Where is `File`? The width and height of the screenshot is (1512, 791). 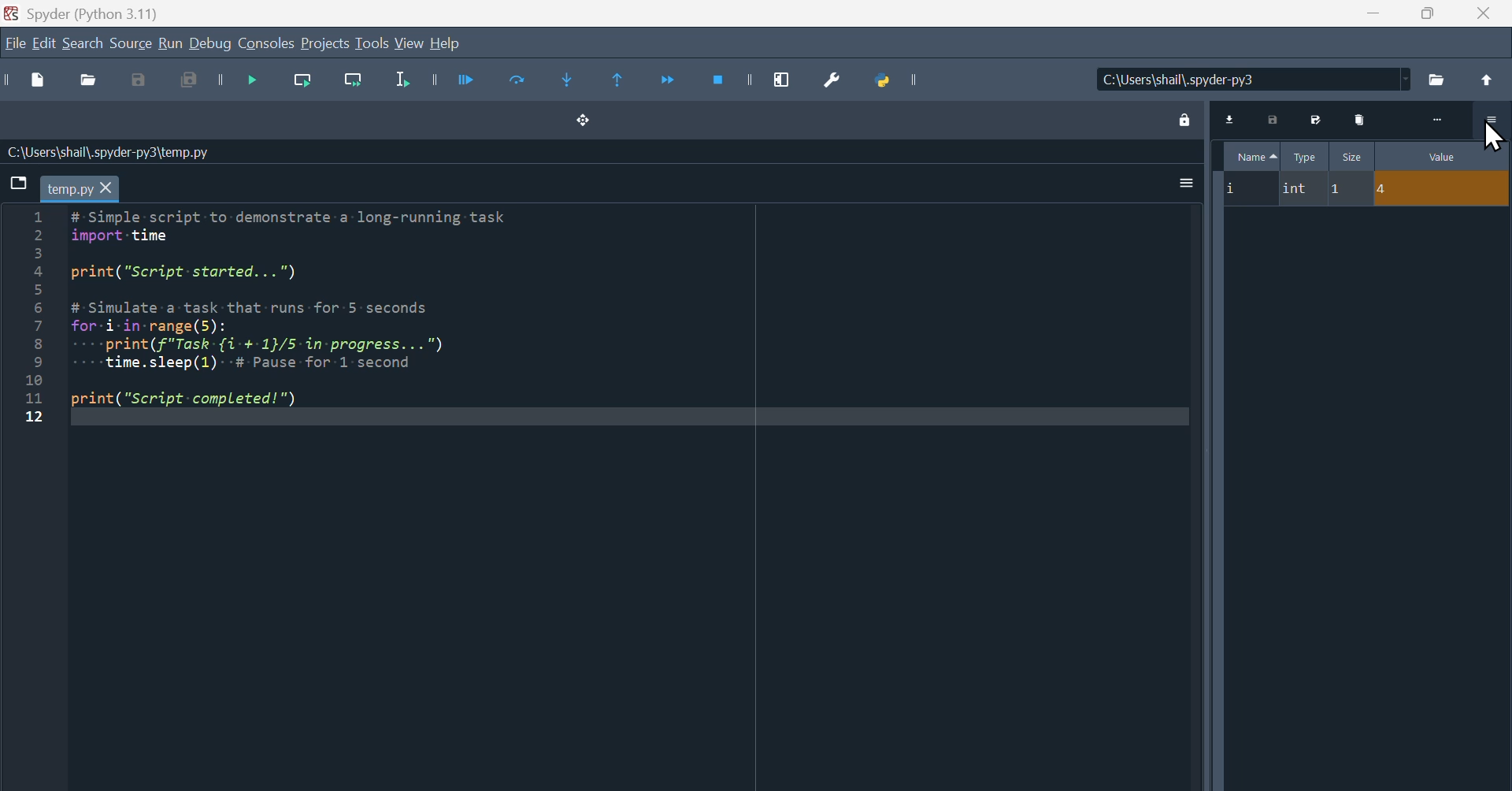
File is located at coordinates (1439, 78).